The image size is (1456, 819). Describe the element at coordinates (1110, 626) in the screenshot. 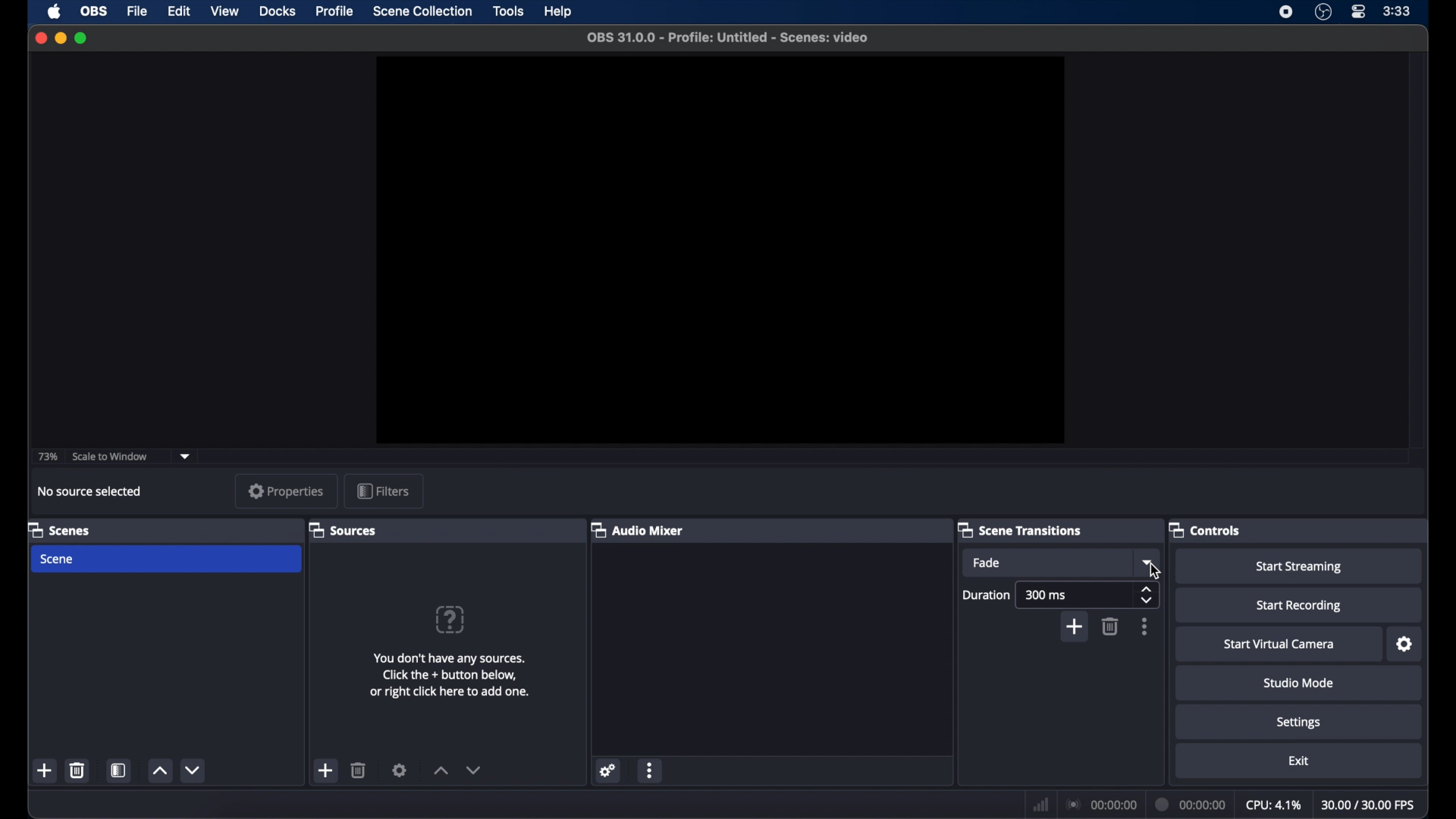

I see `delete` at that location.